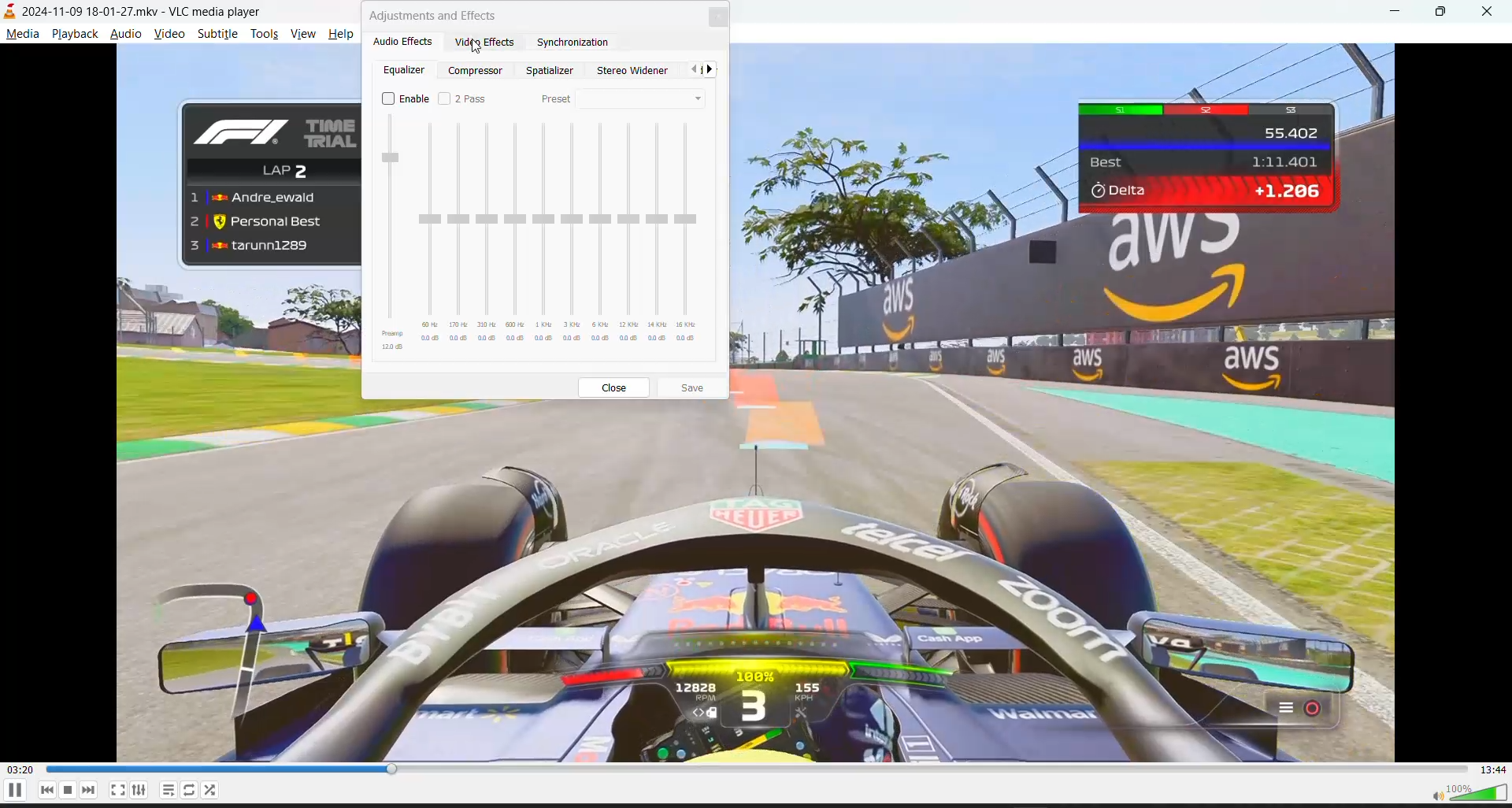 Image resolution: width=1512 pixels, height=808 pixels. I want to click on slider, so click(487, 230).